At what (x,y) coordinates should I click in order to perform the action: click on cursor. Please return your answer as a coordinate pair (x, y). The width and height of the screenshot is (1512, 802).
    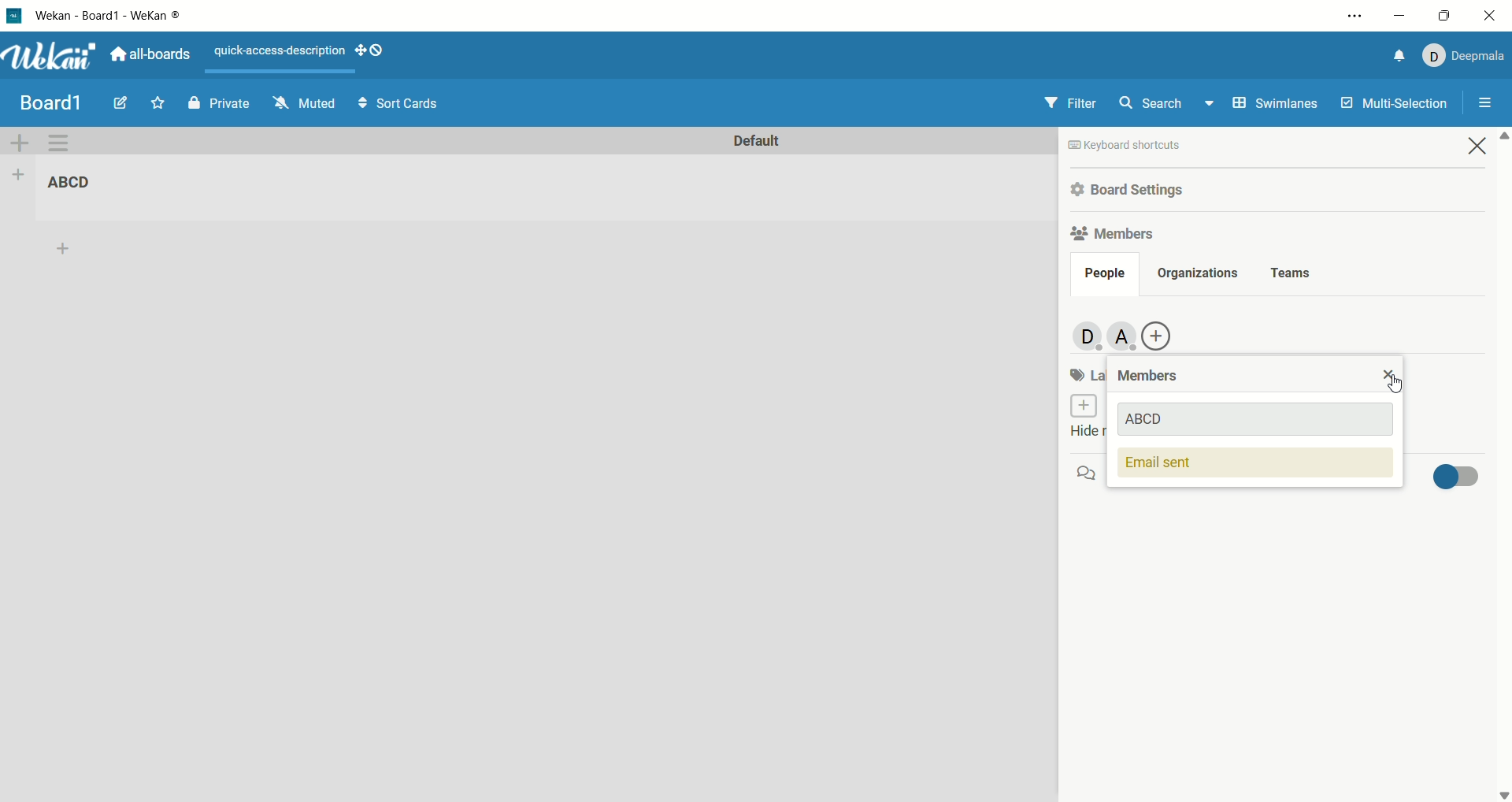
    Looking at the image, I should click on (1388, 381).